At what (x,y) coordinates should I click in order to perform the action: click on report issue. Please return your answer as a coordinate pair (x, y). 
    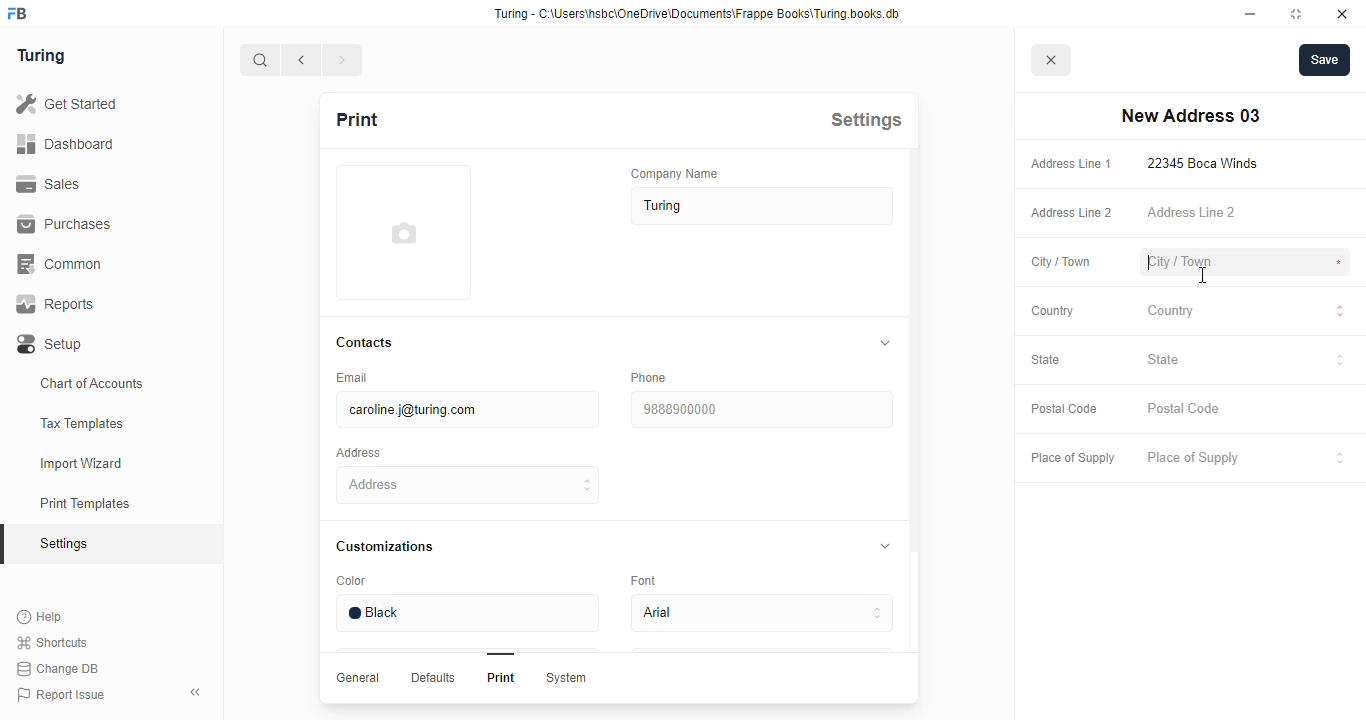
    Looking at the image, I should click on (61, 695).